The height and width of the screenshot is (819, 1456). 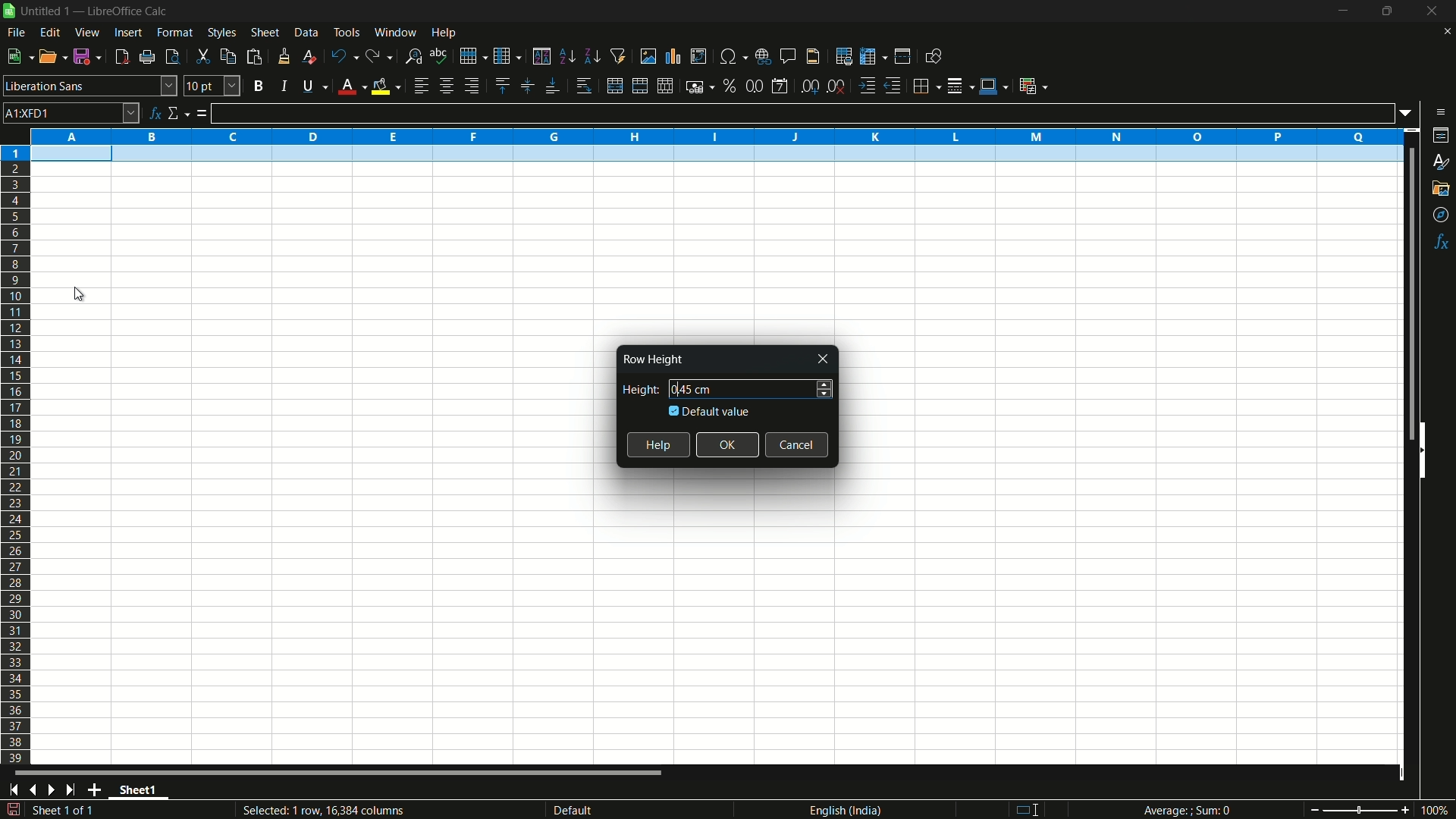 I want to click on | Untitled 1 — LibreOffice Calc, so click(x=92, y=10).